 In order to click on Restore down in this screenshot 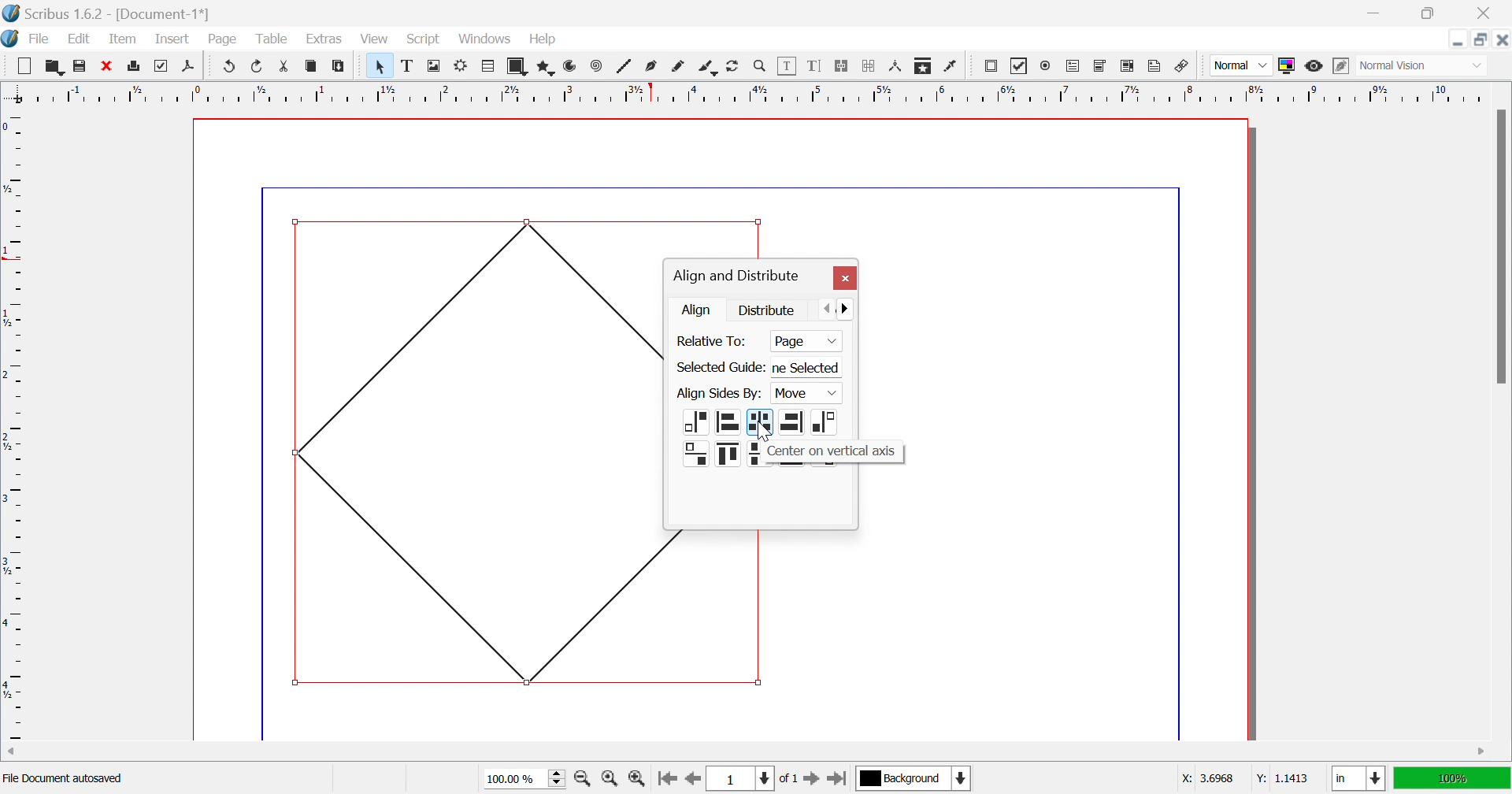, I will do `click(1426, 13)`.